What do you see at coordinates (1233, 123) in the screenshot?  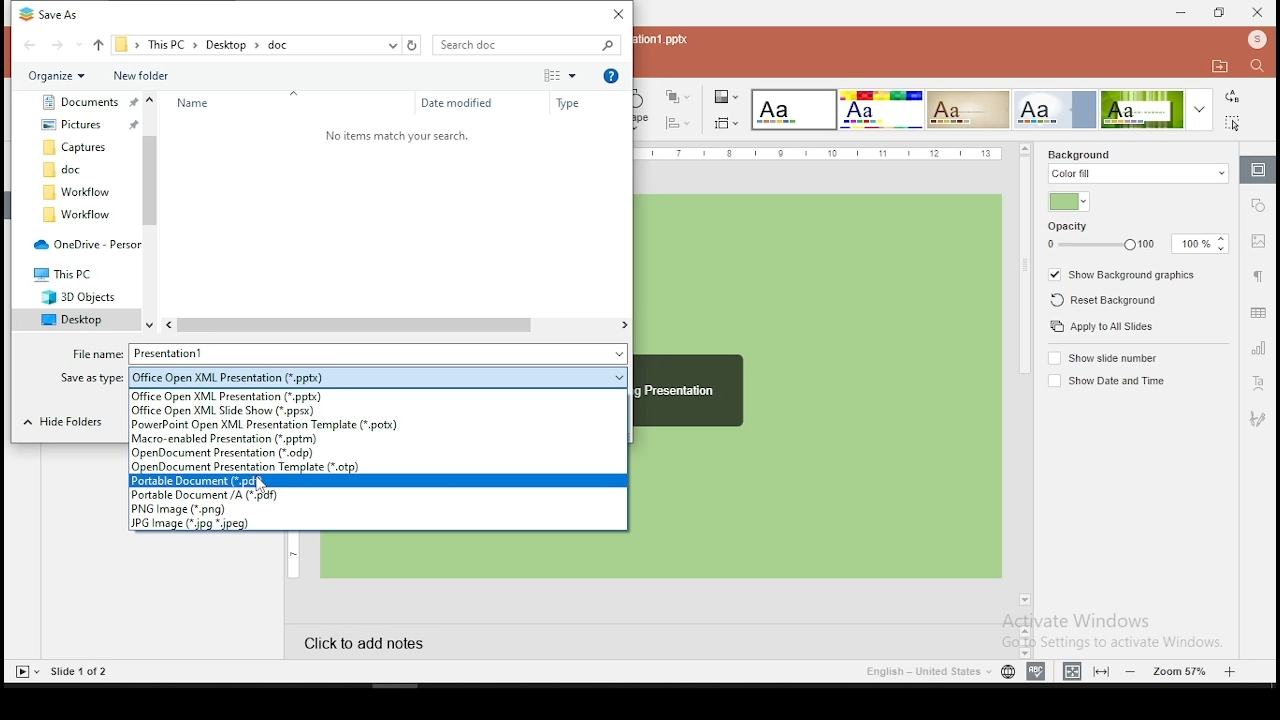 I see `select all` at bounding box center [1233, 123].